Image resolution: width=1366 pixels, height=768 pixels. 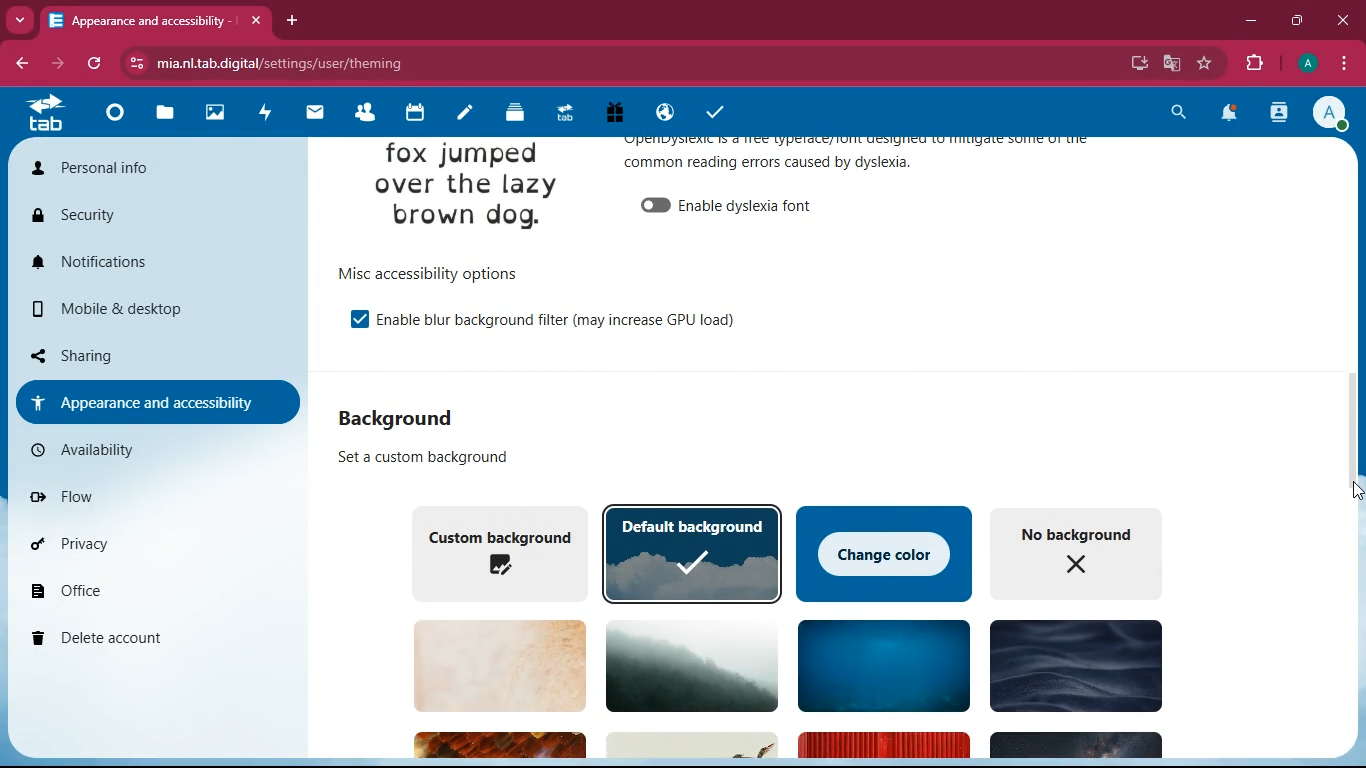 I want to click on tab, so click(x=157, y=20).